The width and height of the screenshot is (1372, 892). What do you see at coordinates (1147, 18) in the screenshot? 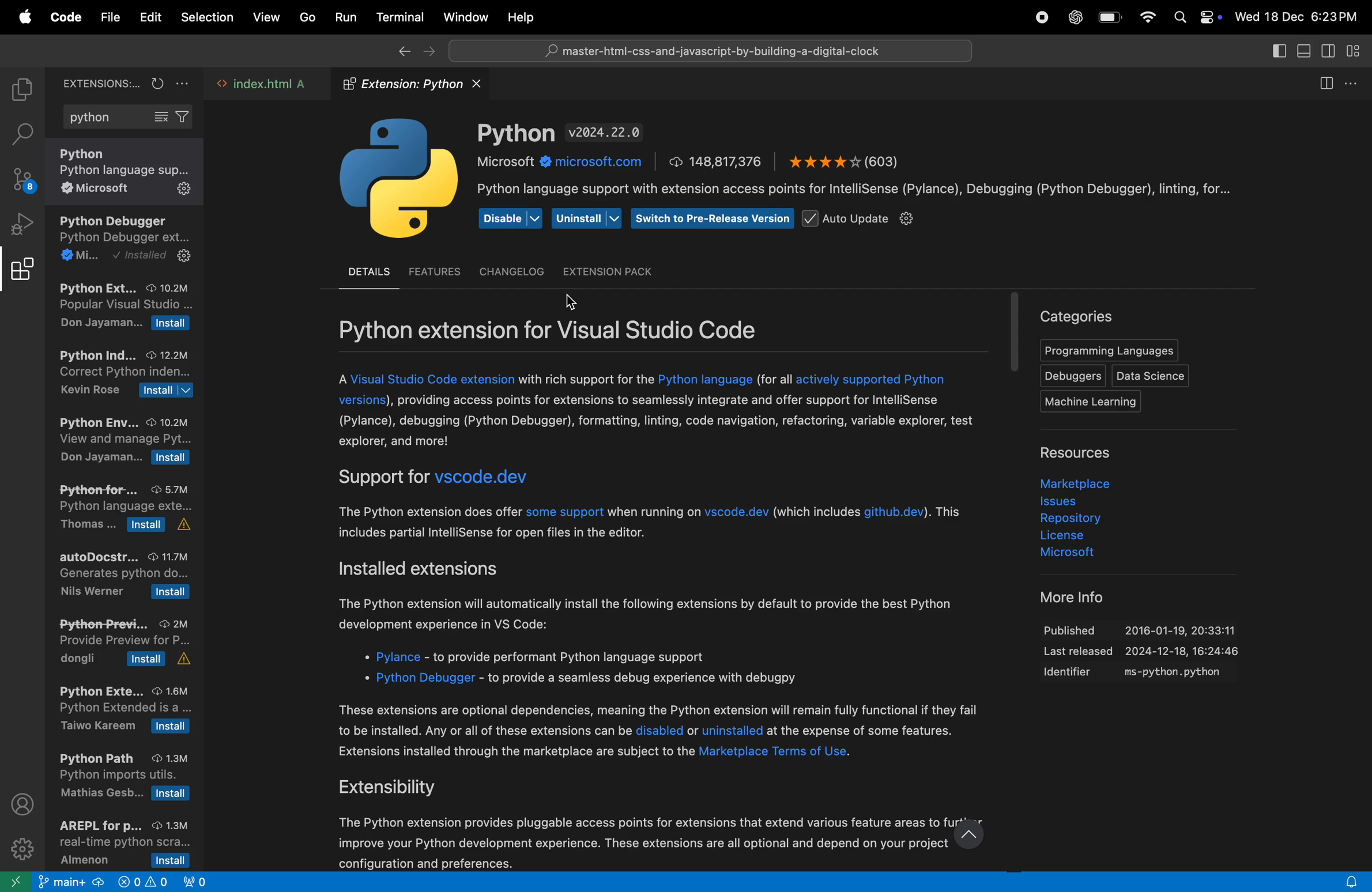
I see `wifi` at bounding box center [1147, 18].